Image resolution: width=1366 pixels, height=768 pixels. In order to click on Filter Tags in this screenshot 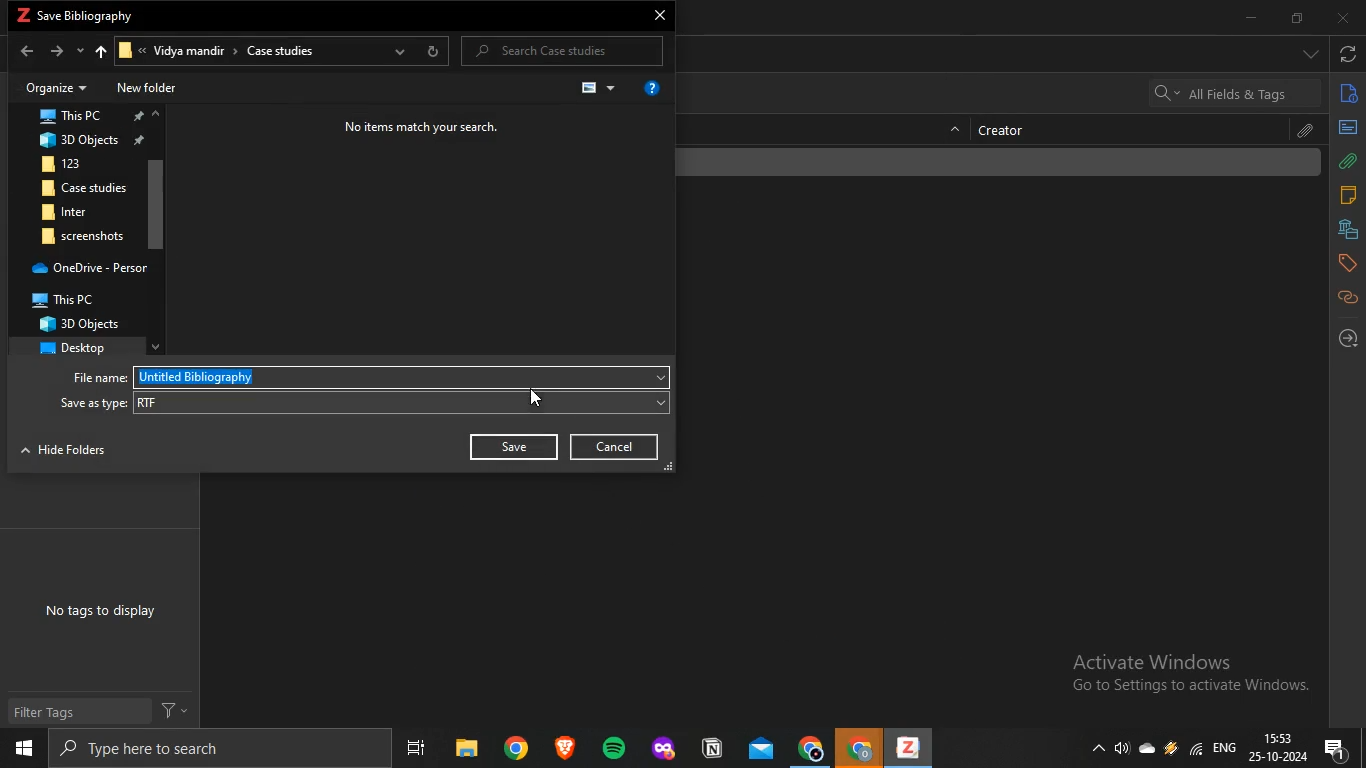, I will do `click(78, 712)`.